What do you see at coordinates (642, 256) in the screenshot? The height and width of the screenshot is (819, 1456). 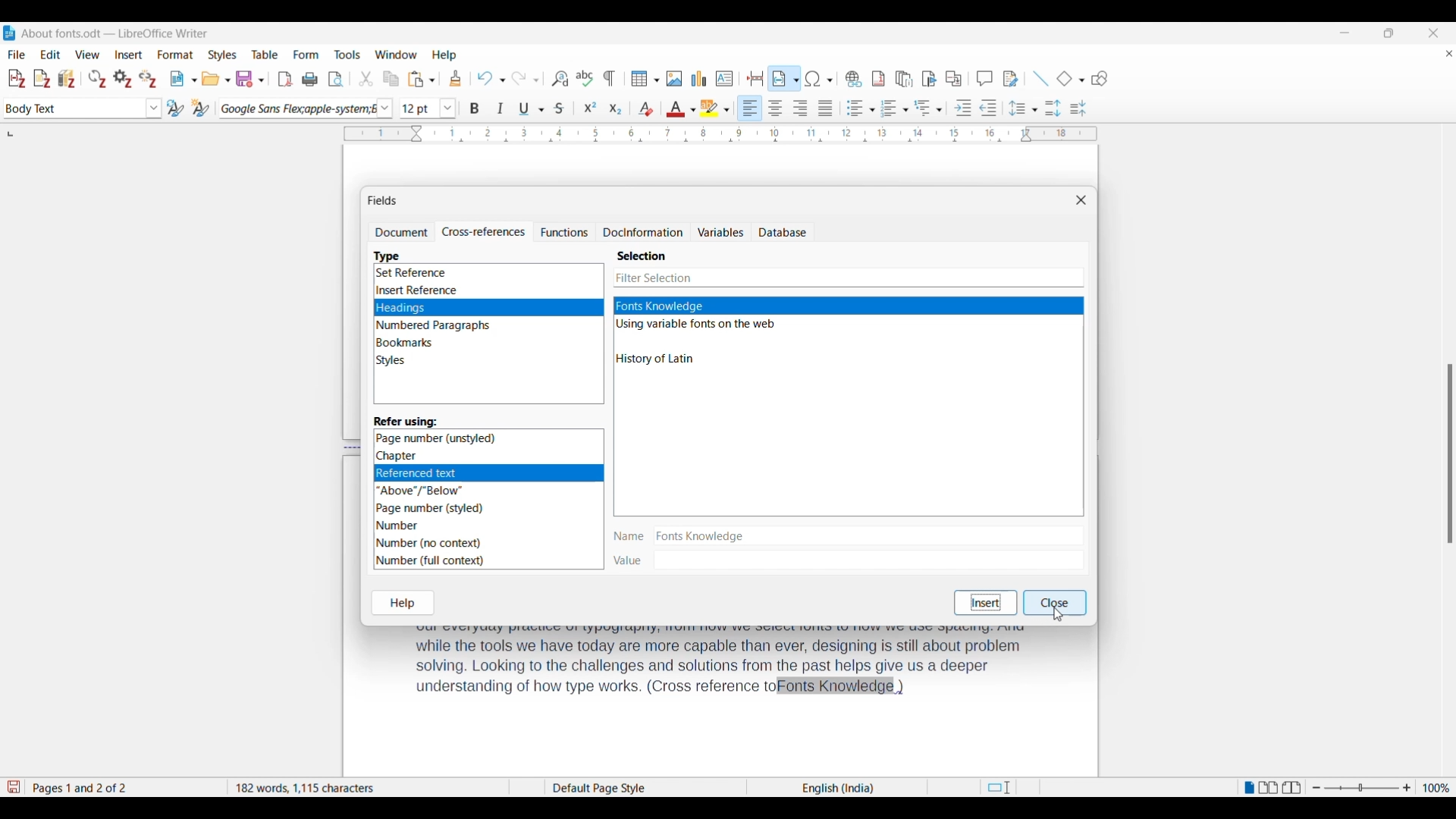 I see `Section title` at bounding box center [642, 256].